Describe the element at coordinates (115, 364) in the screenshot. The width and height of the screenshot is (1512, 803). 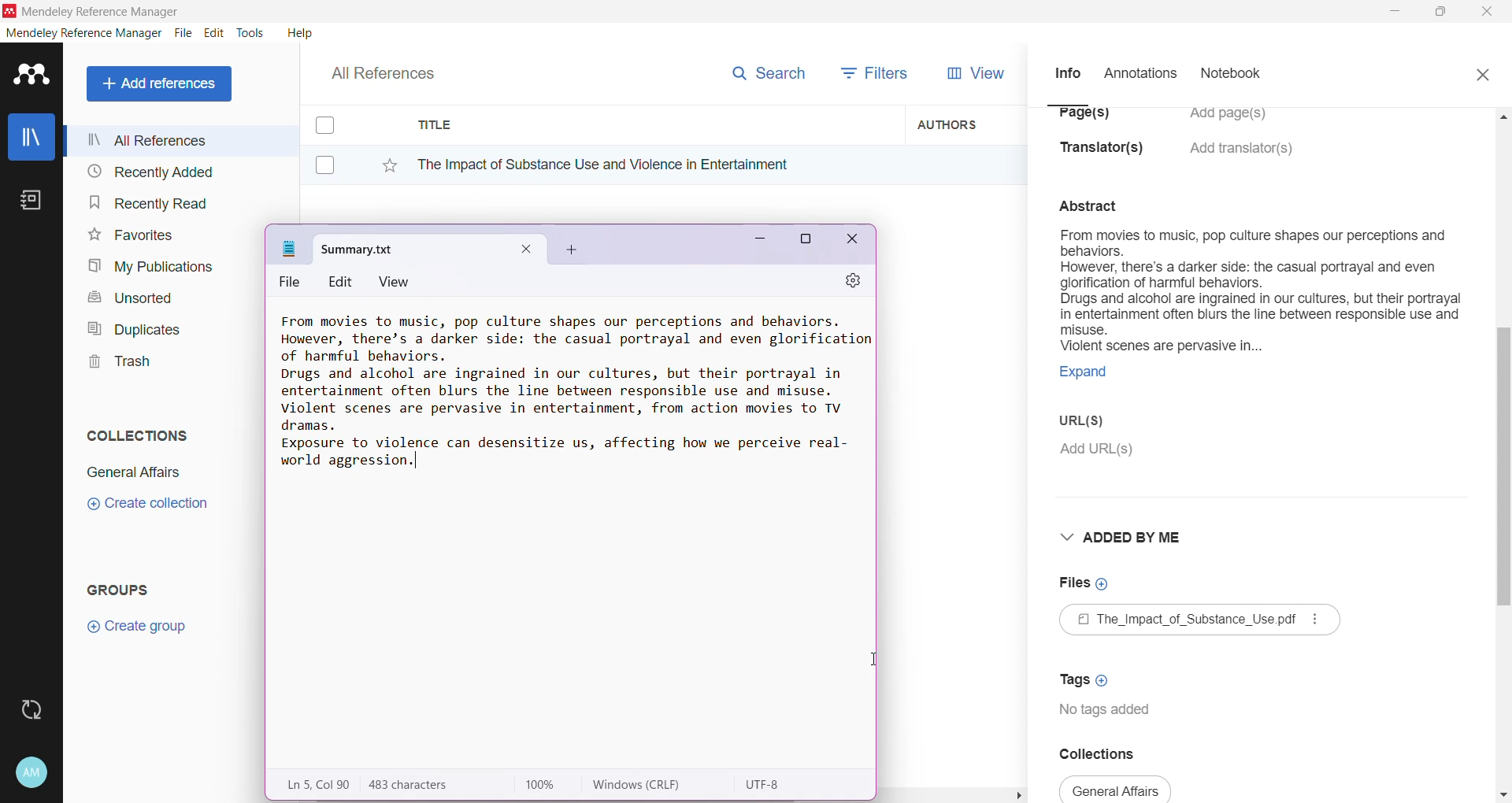
I see `Trash` at that location.